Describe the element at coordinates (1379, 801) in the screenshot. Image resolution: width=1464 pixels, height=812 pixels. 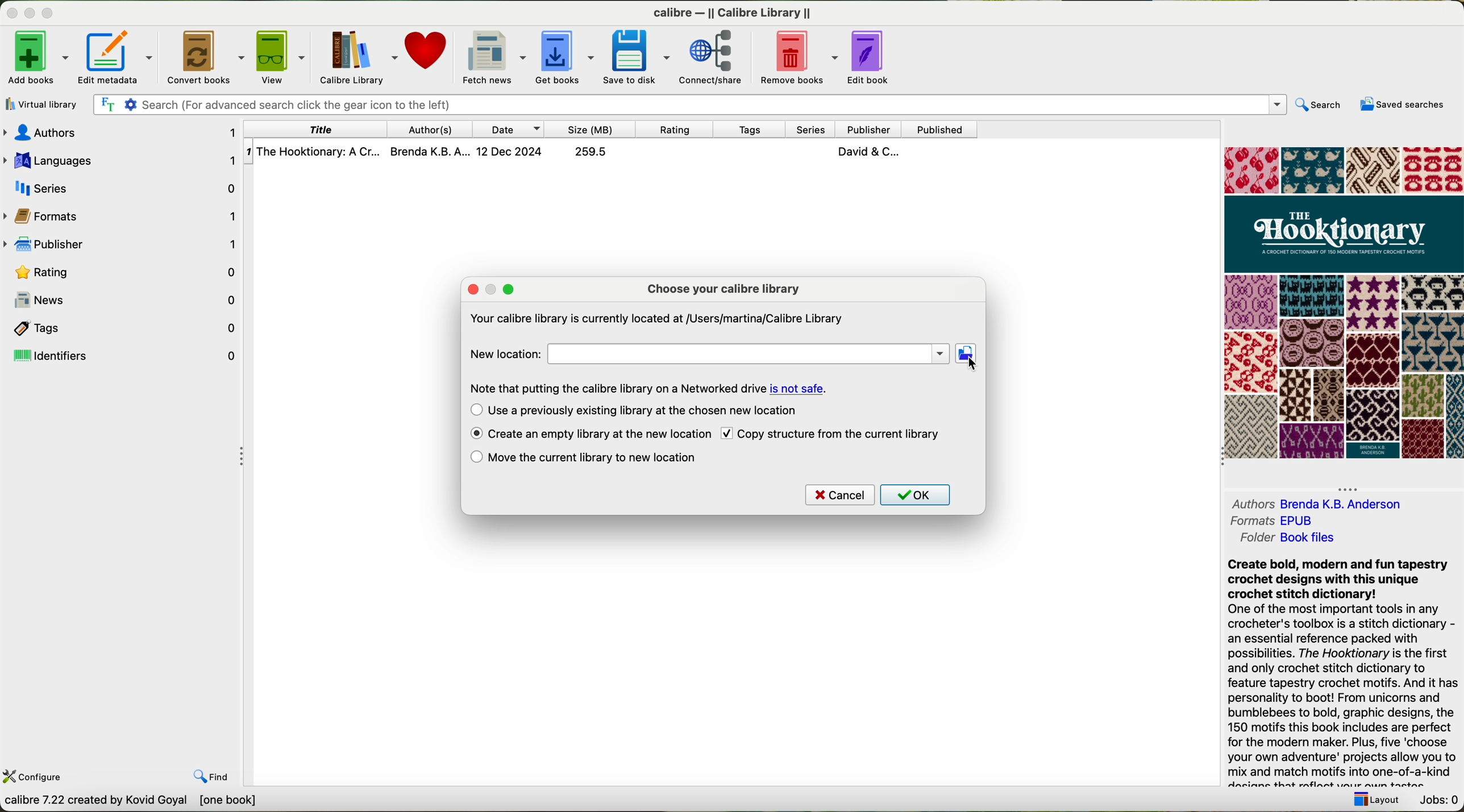
I see `layout` at that location.